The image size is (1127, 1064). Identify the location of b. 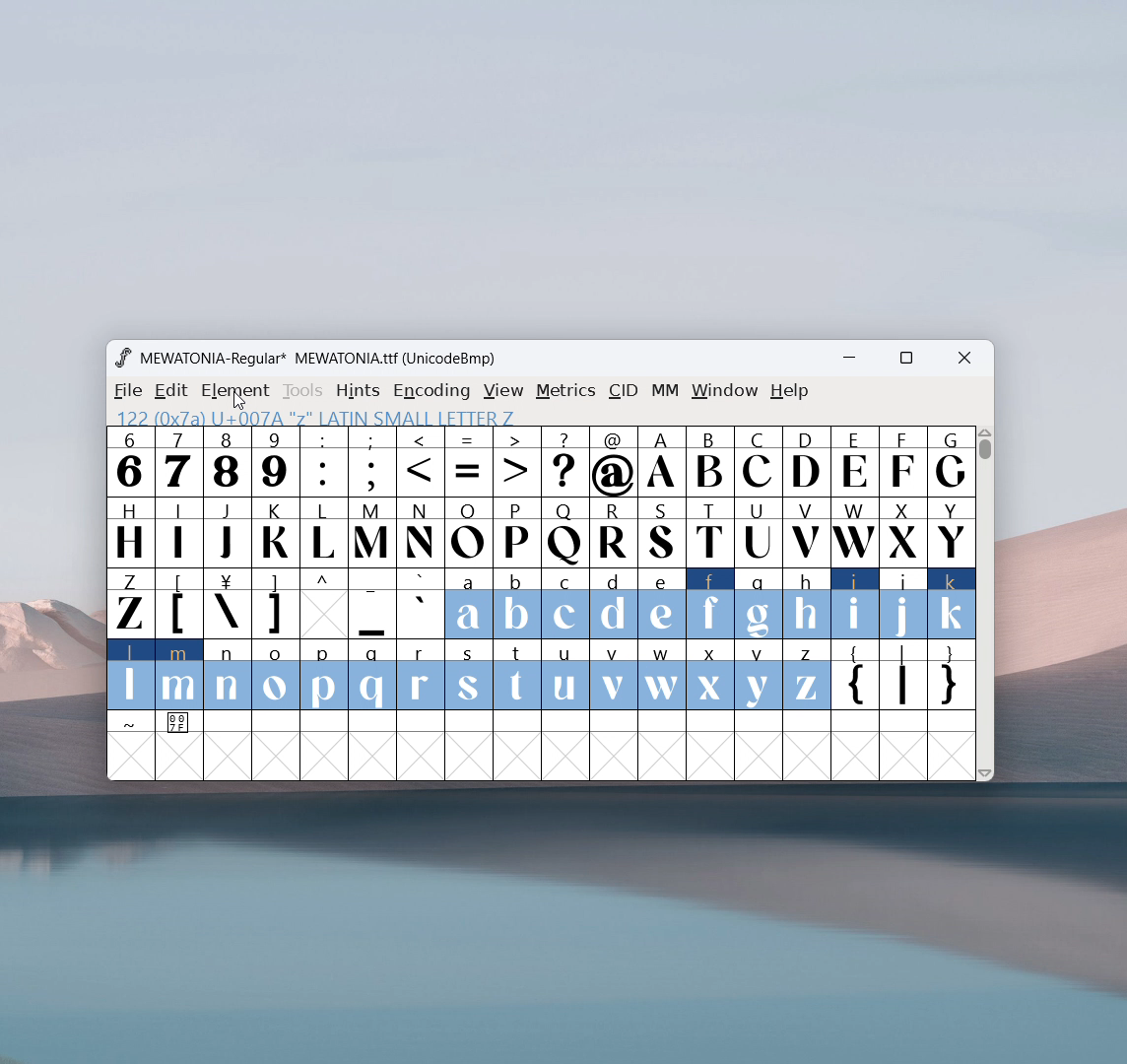
(517, 605).